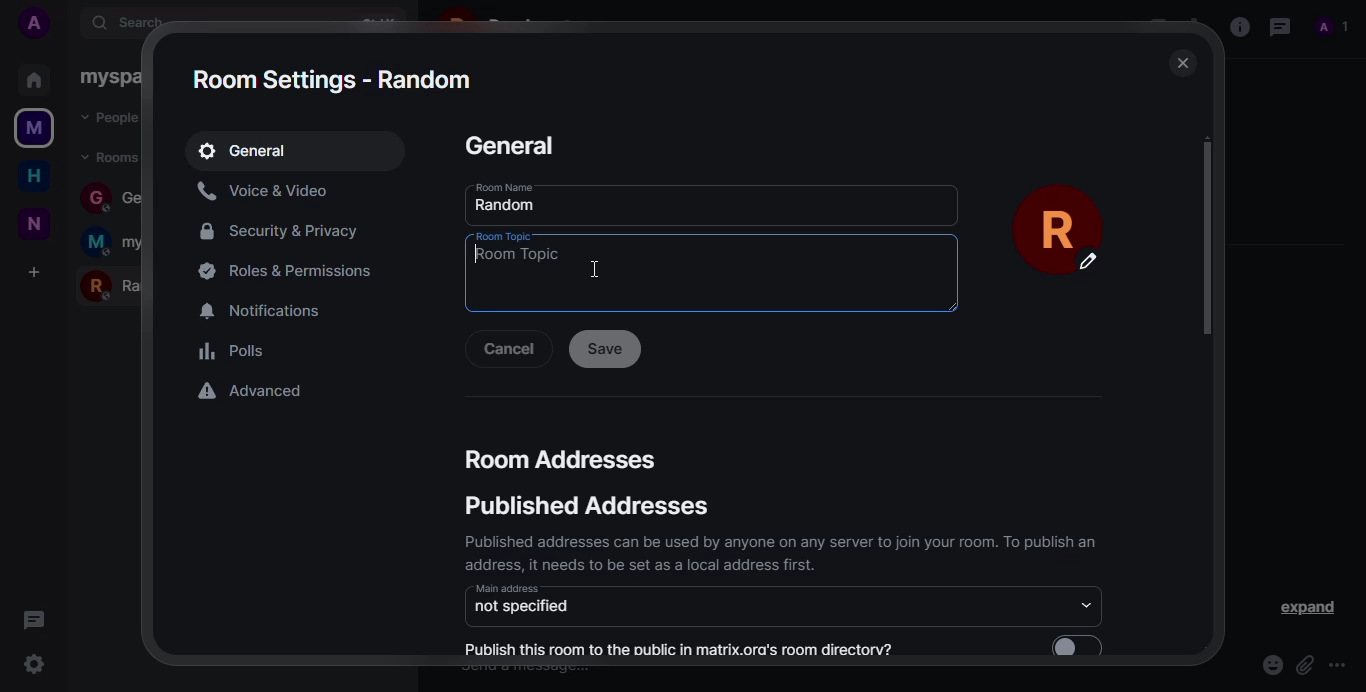  Describe the element at coordinates (34, 663) in the screenshot. I see `settings` at that location.